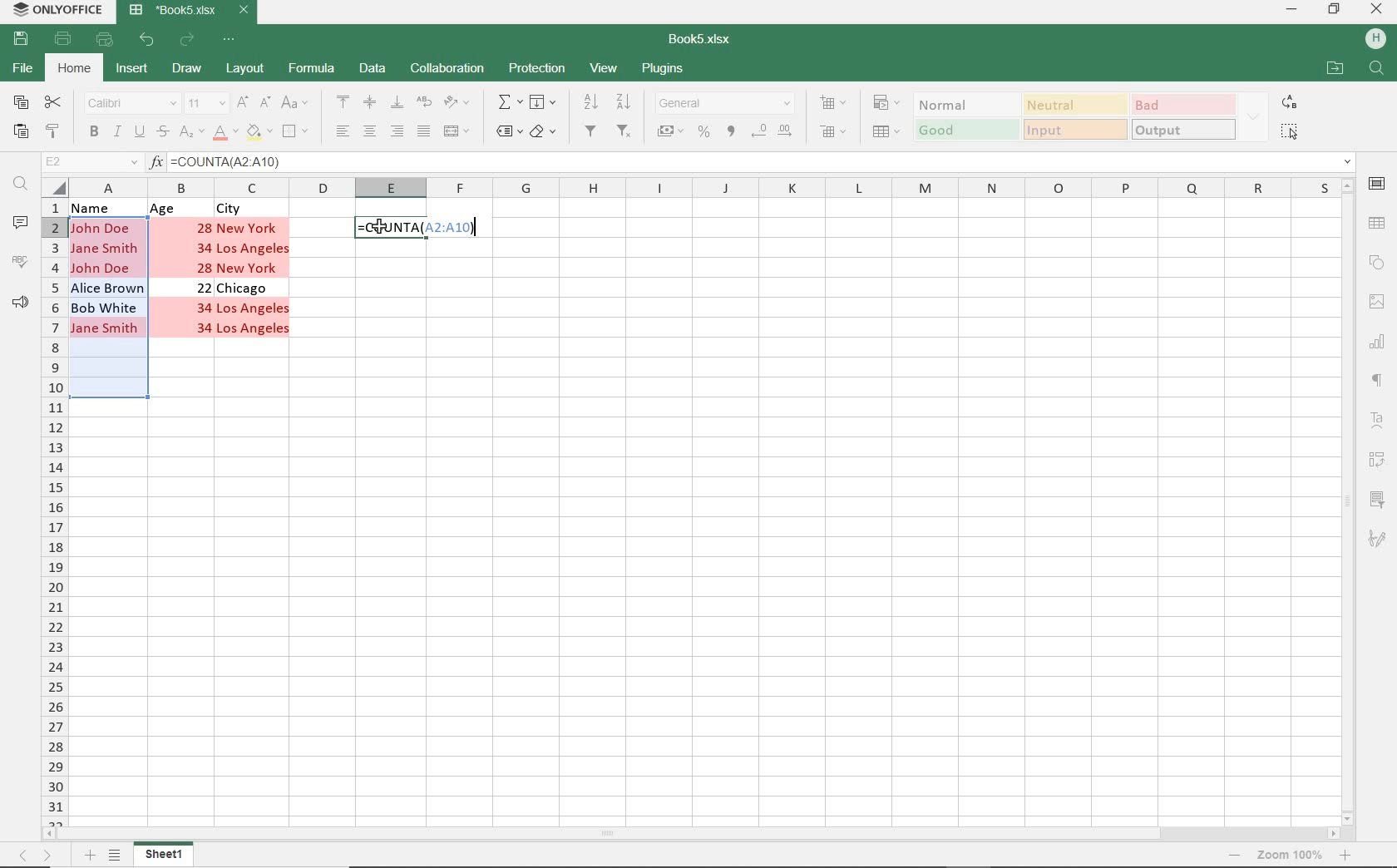 This screenshot has height=868, width=1397. What do you see at coordinates (91, 162) in the screenshot?
I see `NAME MANAGER` at bounding box center [91, 162].